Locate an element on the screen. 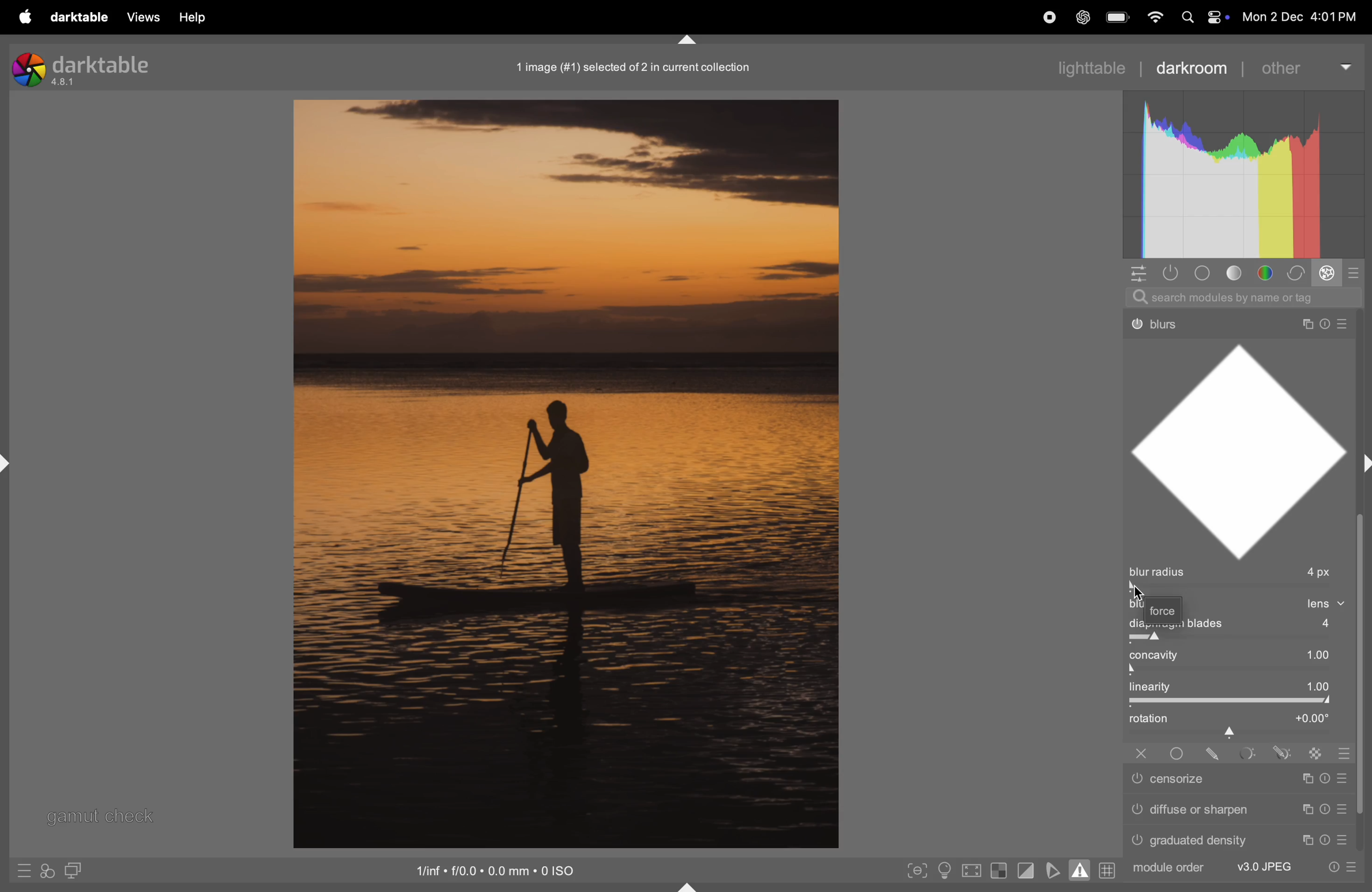  base is located at coordinates (1206, 273).